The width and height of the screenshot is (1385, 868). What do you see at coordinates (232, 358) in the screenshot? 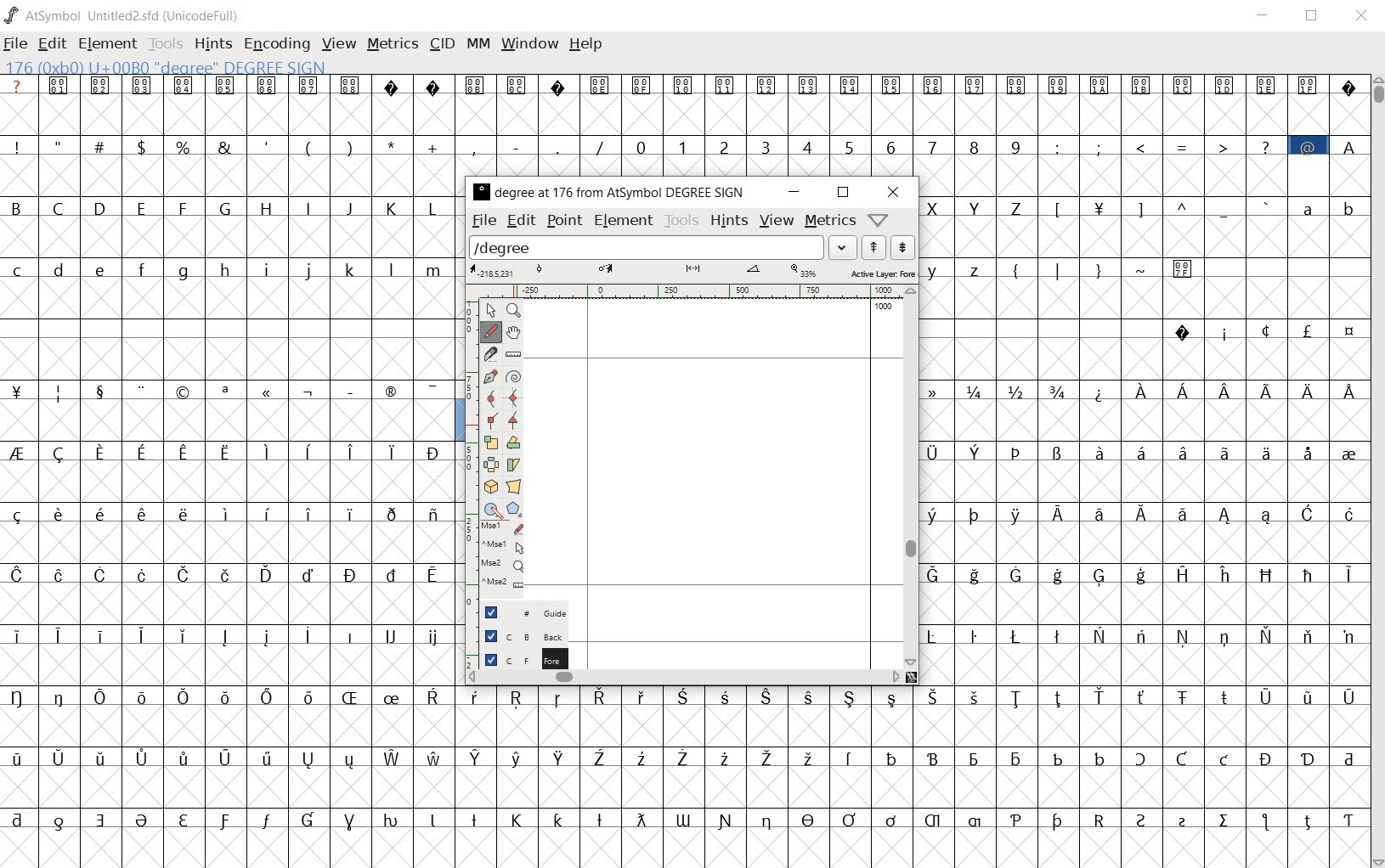
I see `empty glyph slots` at bounding box center [232, 358].